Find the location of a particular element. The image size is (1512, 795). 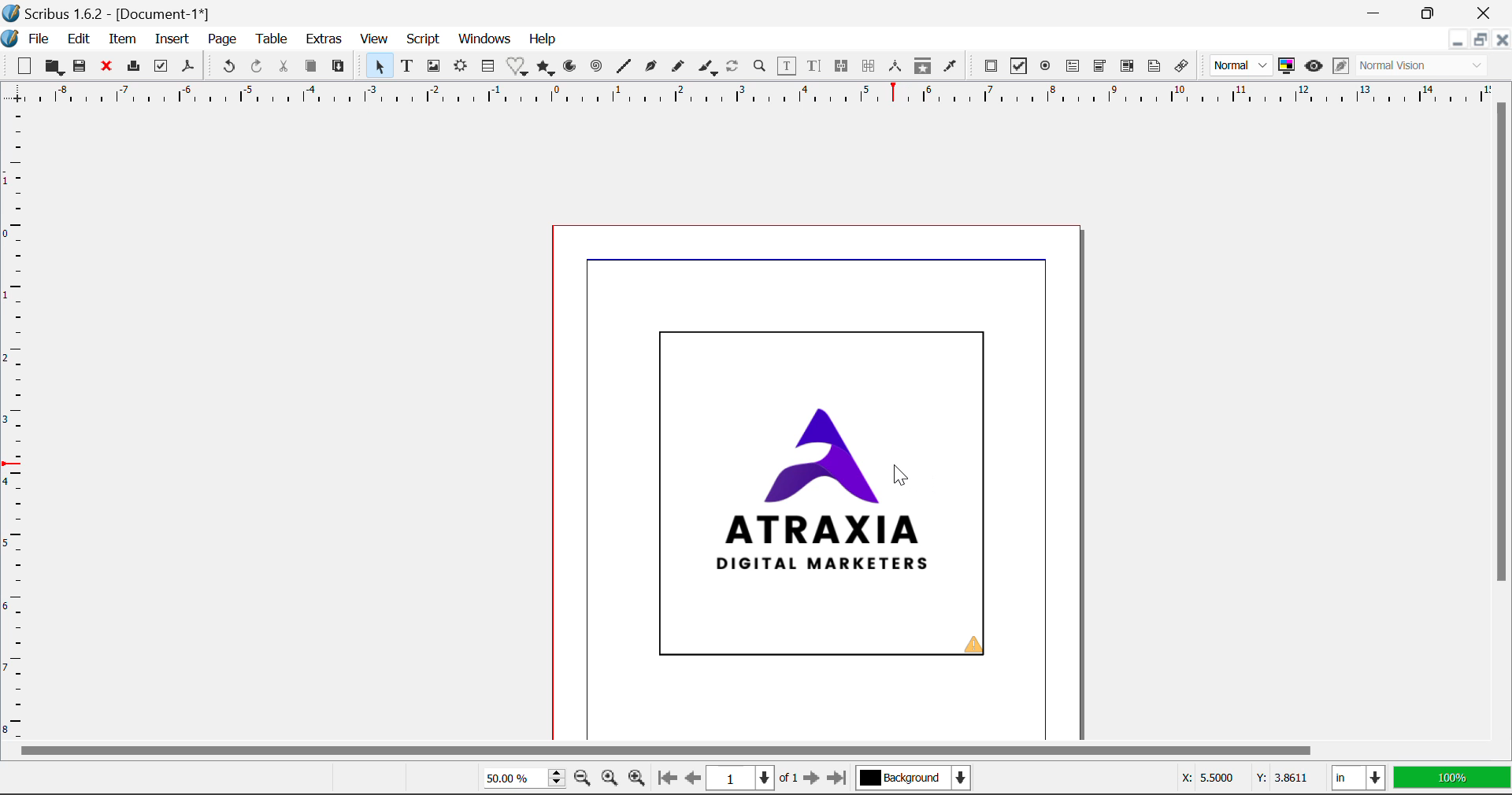

Minimize is located at coordinates (1430, 11).